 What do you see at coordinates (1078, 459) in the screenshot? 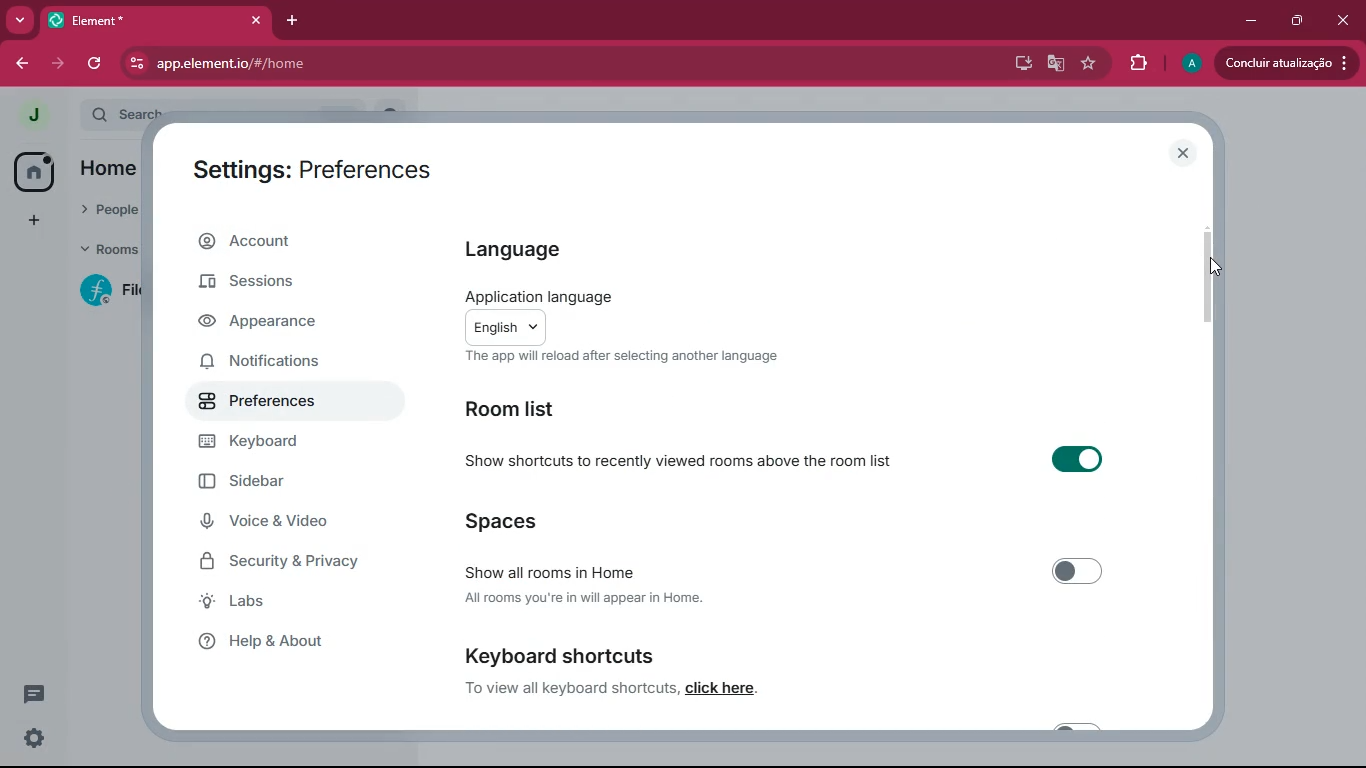
I see `toggle on/off` at bounding box center [1078, 459].